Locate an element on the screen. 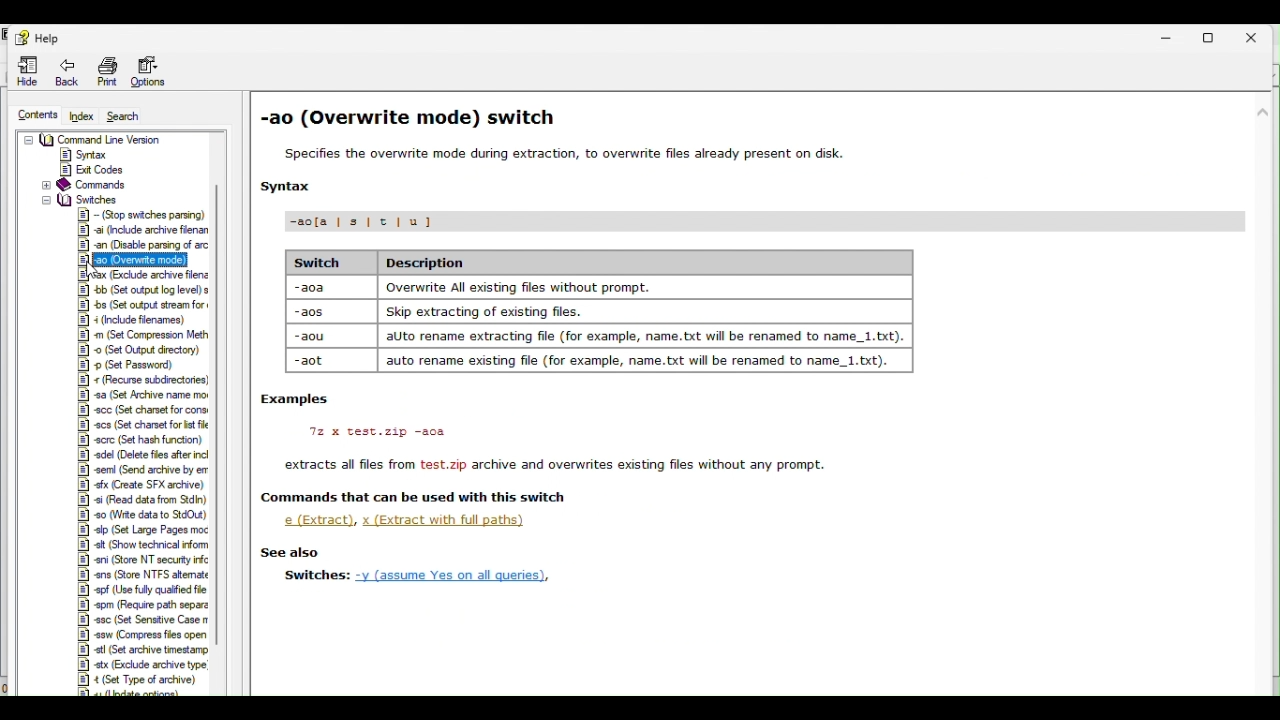  , x (Extract with full paths) is located at coordinates (451, 520).